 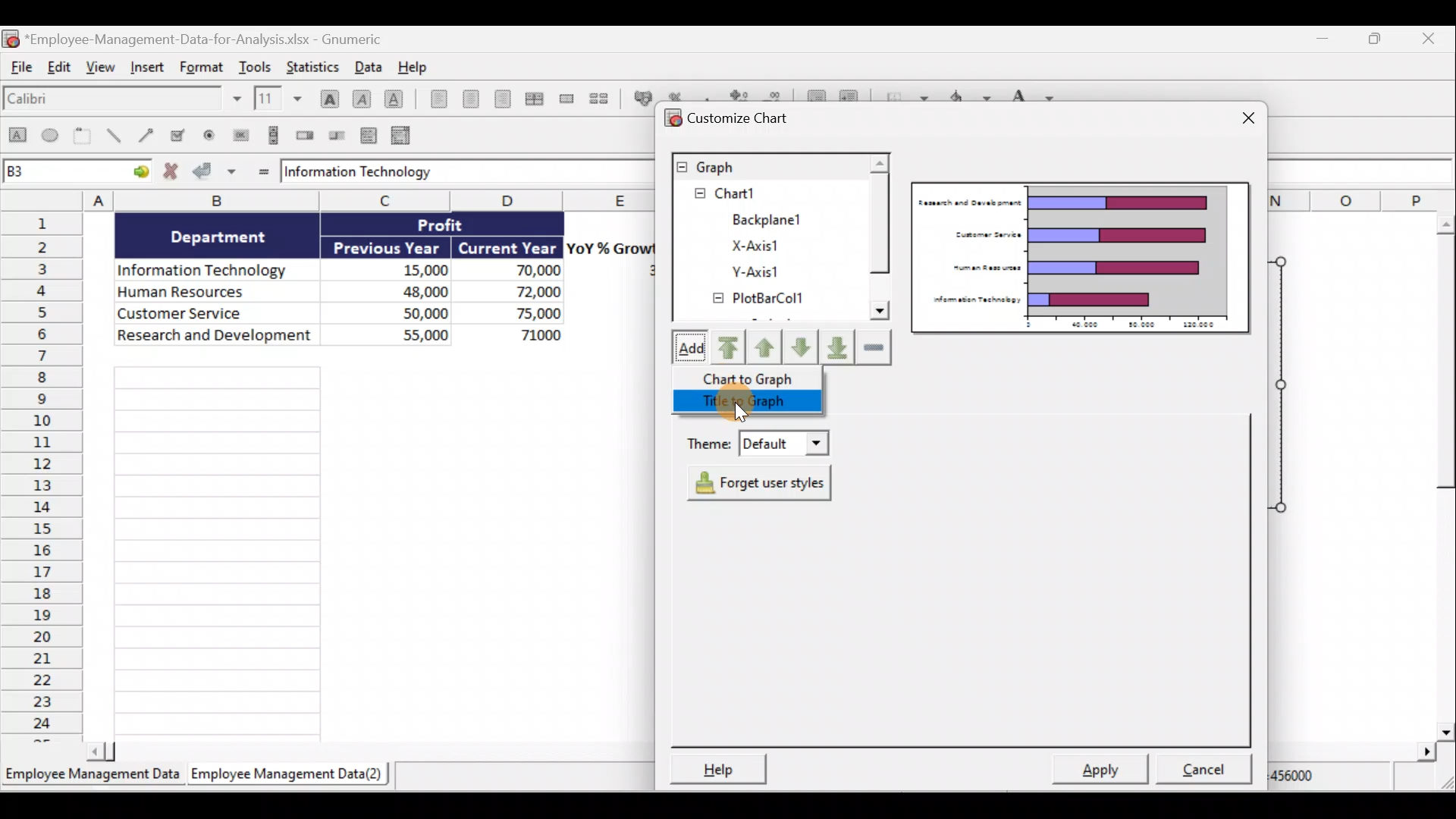 What do you see at coordinates (328, 98) in the screenshot?
I see `Bold` at bounding box center [328, 98].